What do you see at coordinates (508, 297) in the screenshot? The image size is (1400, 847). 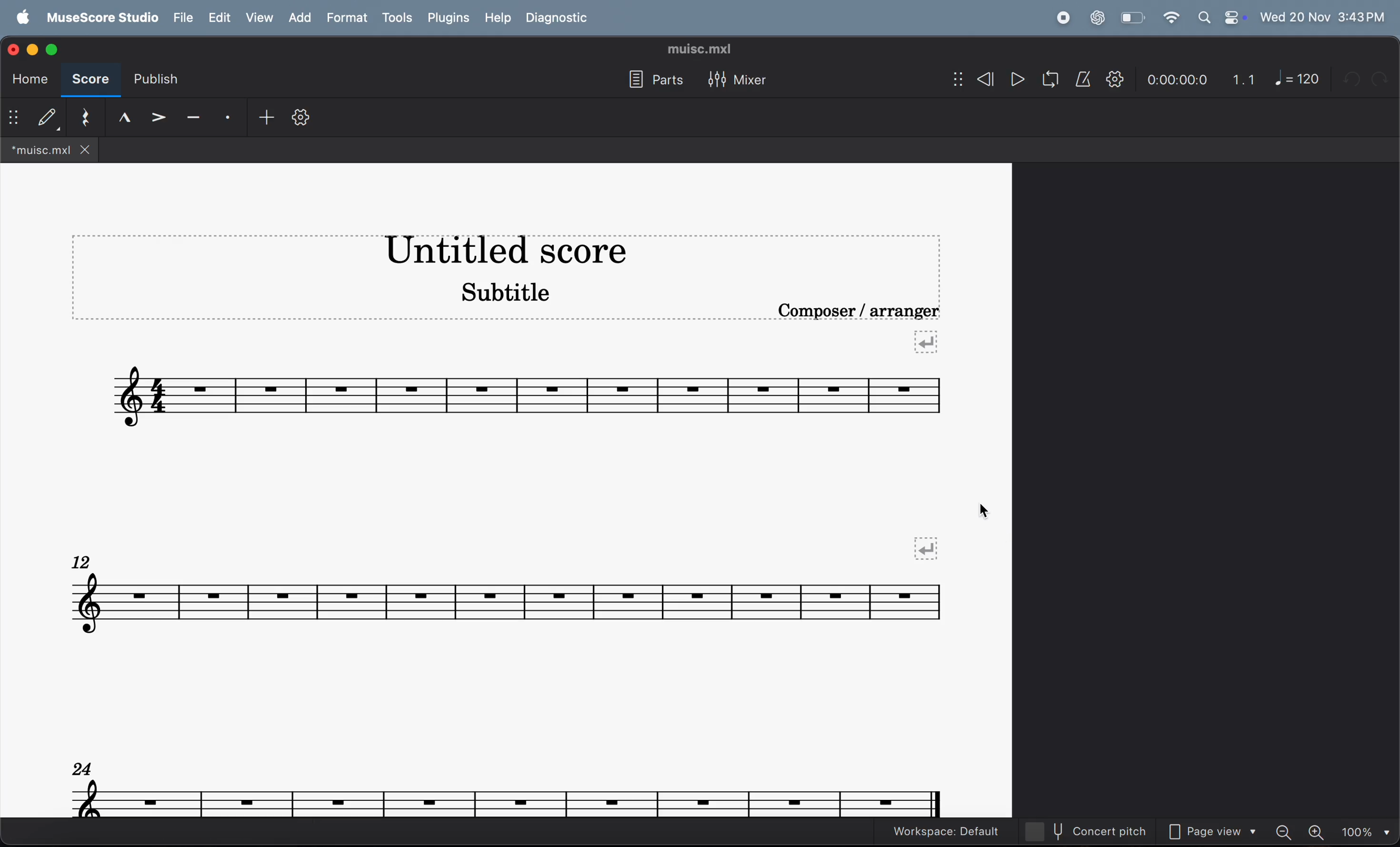 I see `subtitle` at bounding box center [508, 297].